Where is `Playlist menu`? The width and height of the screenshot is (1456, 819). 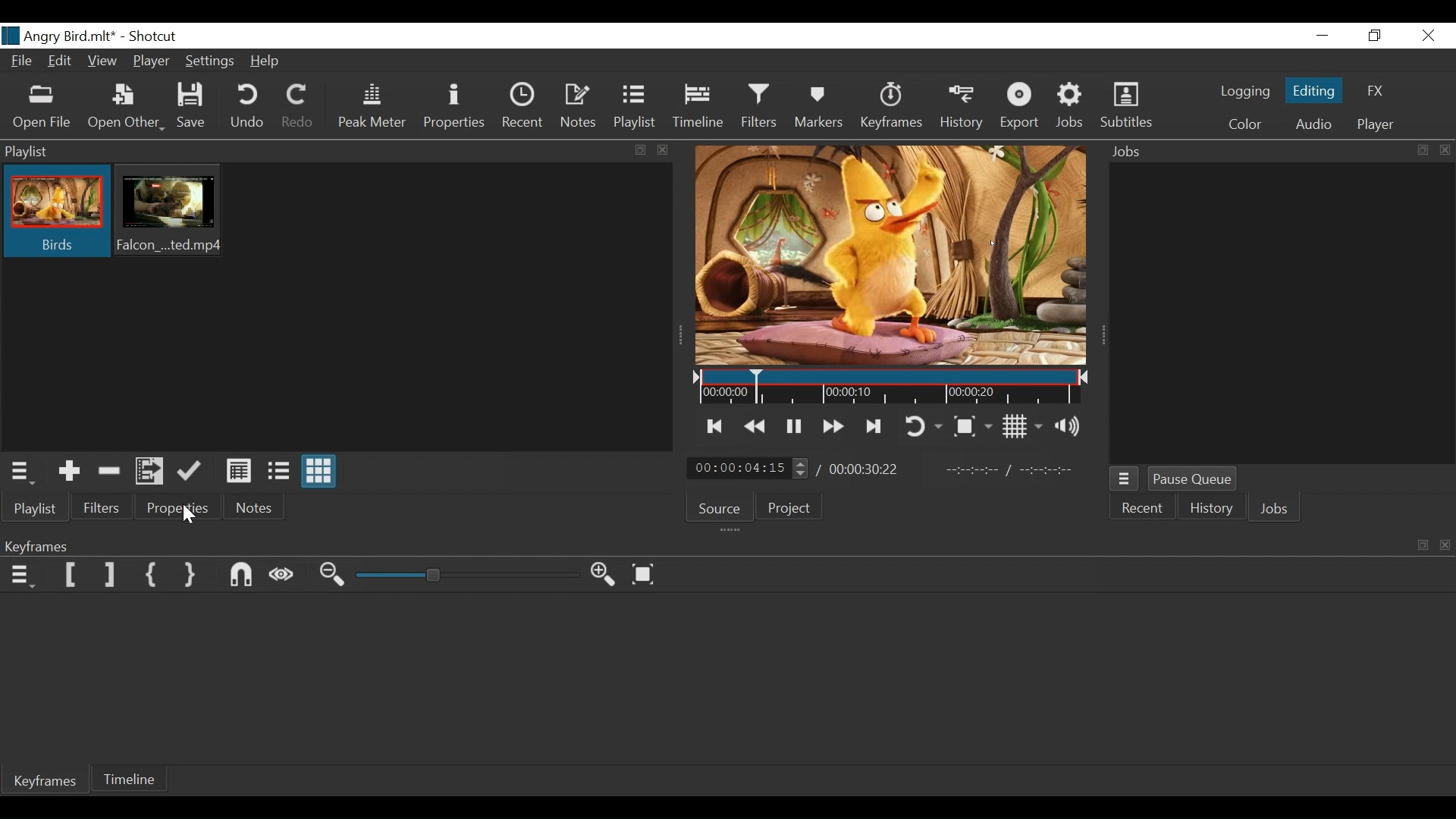
Playlist menu is located at coordinates (20, 472).